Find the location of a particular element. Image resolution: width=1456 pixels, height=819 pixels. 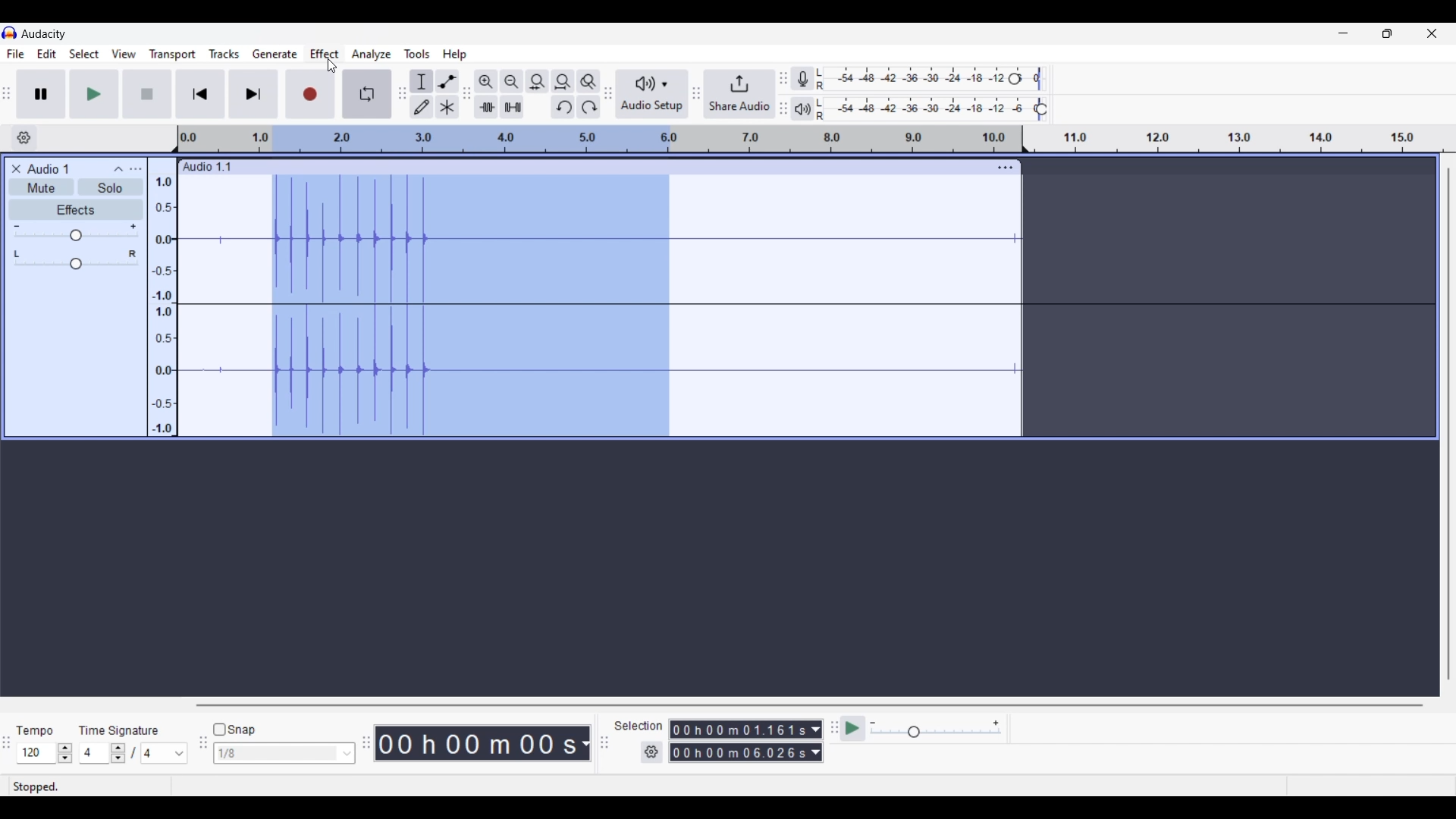

Timeline options is located at coordinates (24, 138).